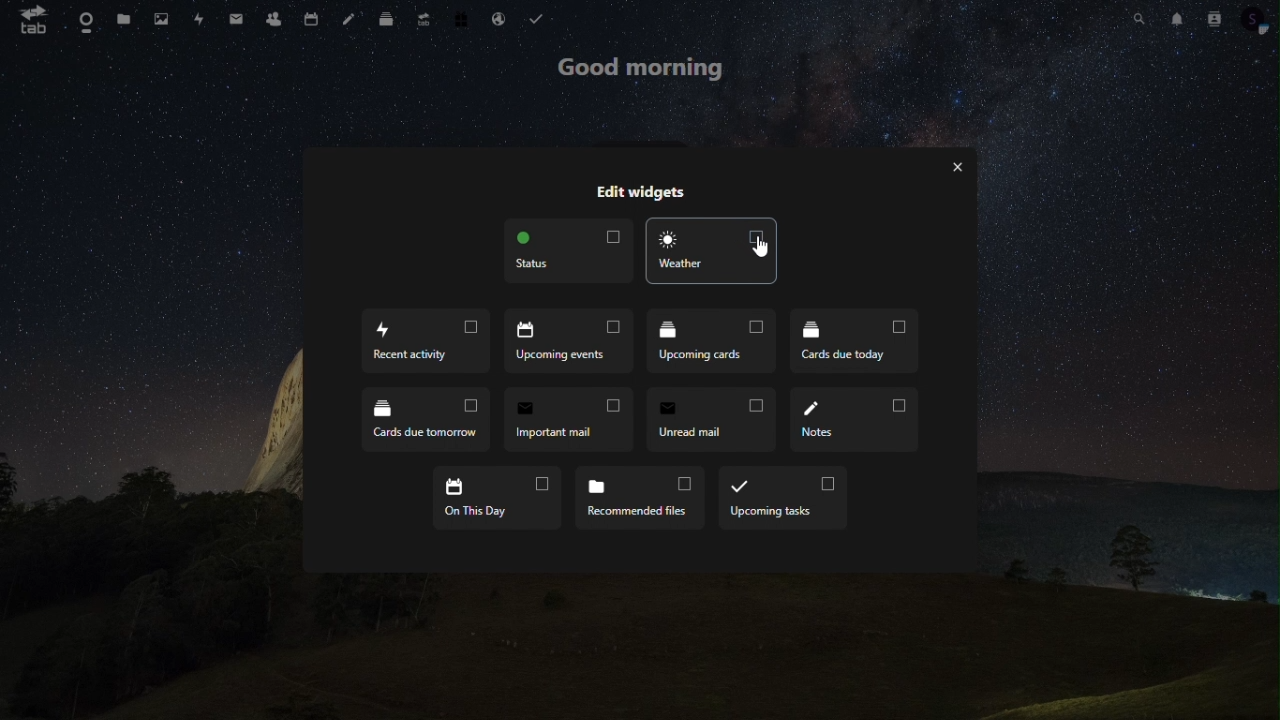 The width and height of the screenshot is (1280, 720). I want to click on important mail, so click(572, 419).